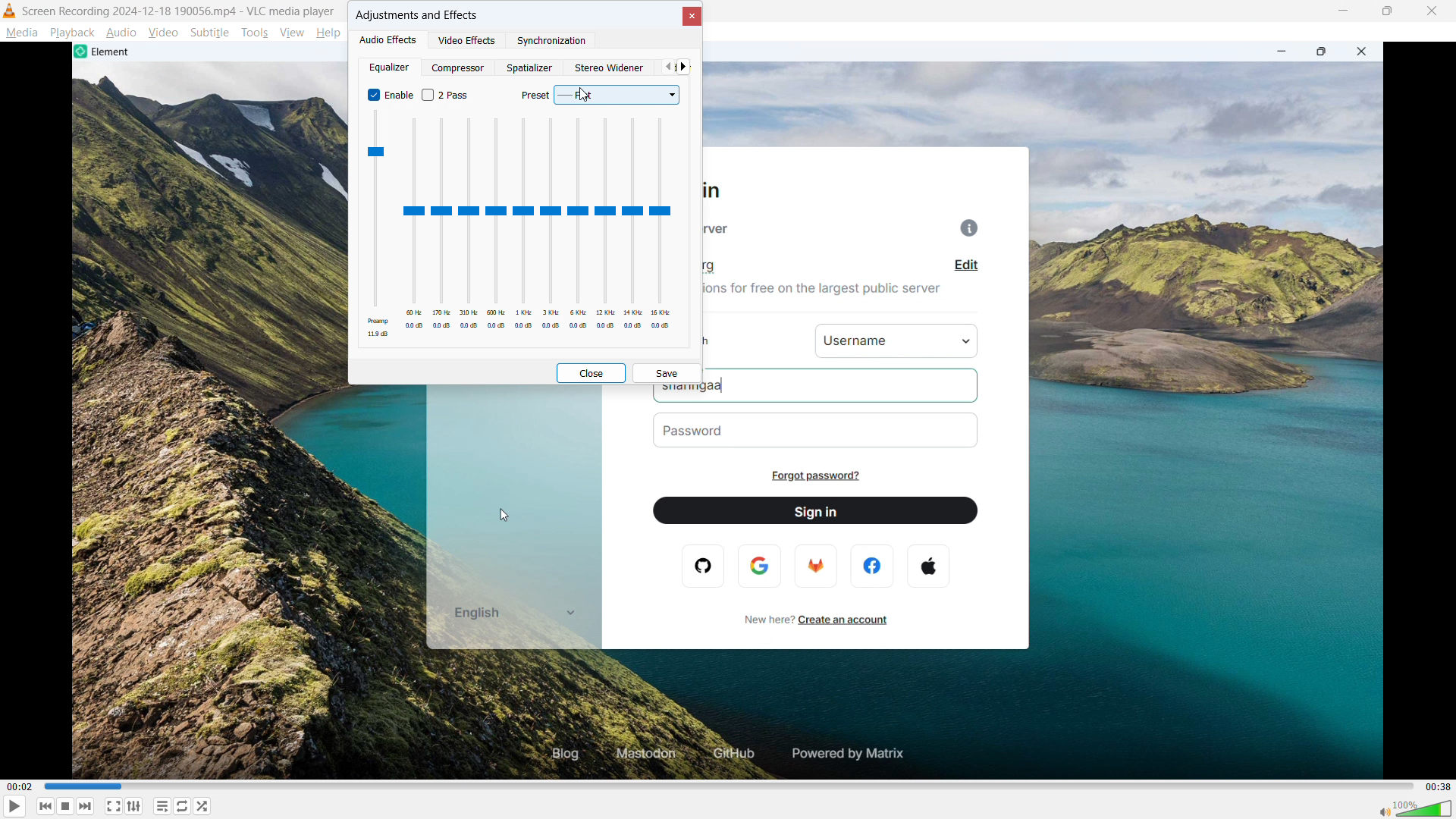 The image size is (1456, 819). I want to click on Maximize , so click(1389, 11).